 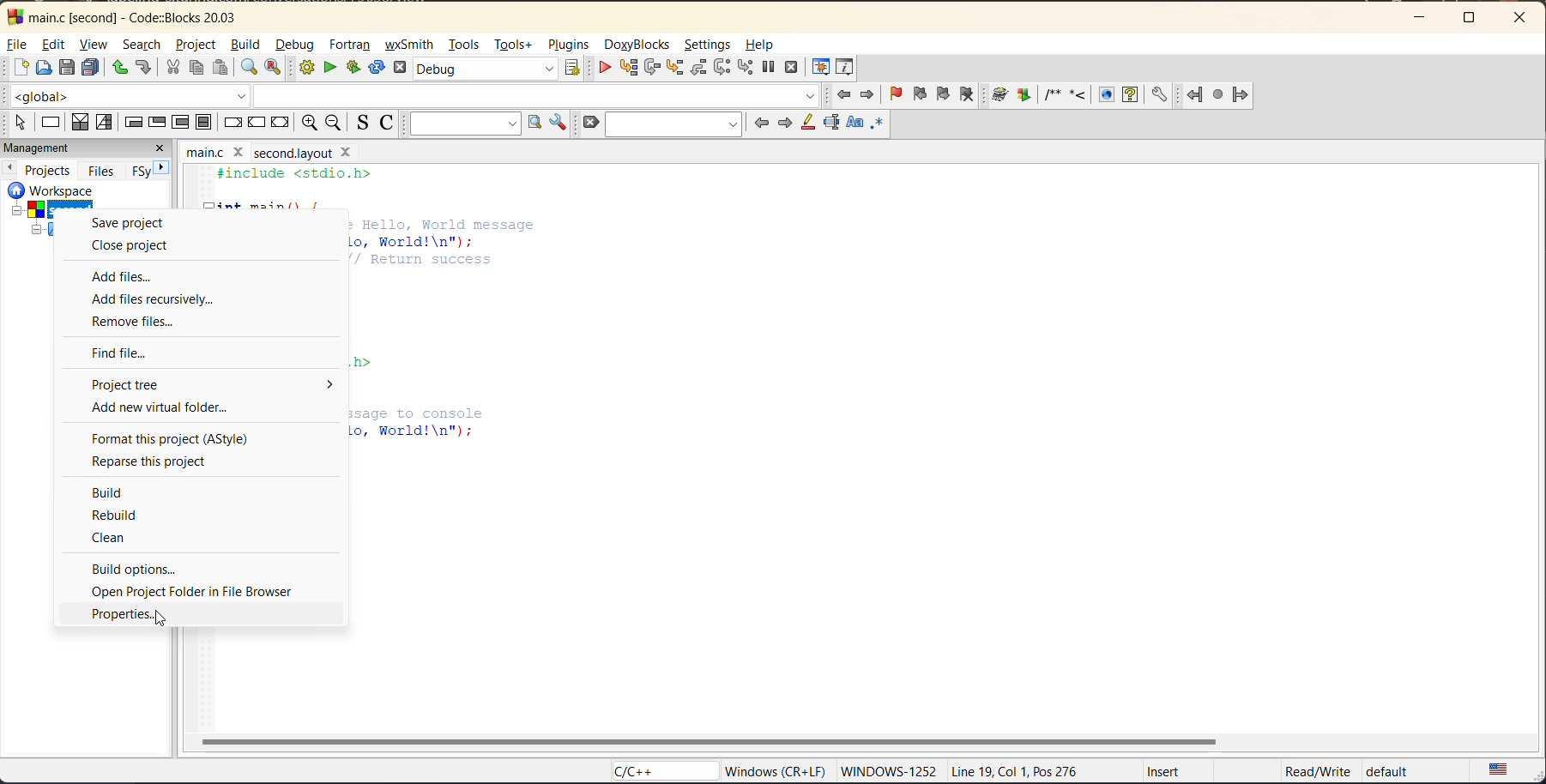 I want to click on language, so click(x=663, y=774).